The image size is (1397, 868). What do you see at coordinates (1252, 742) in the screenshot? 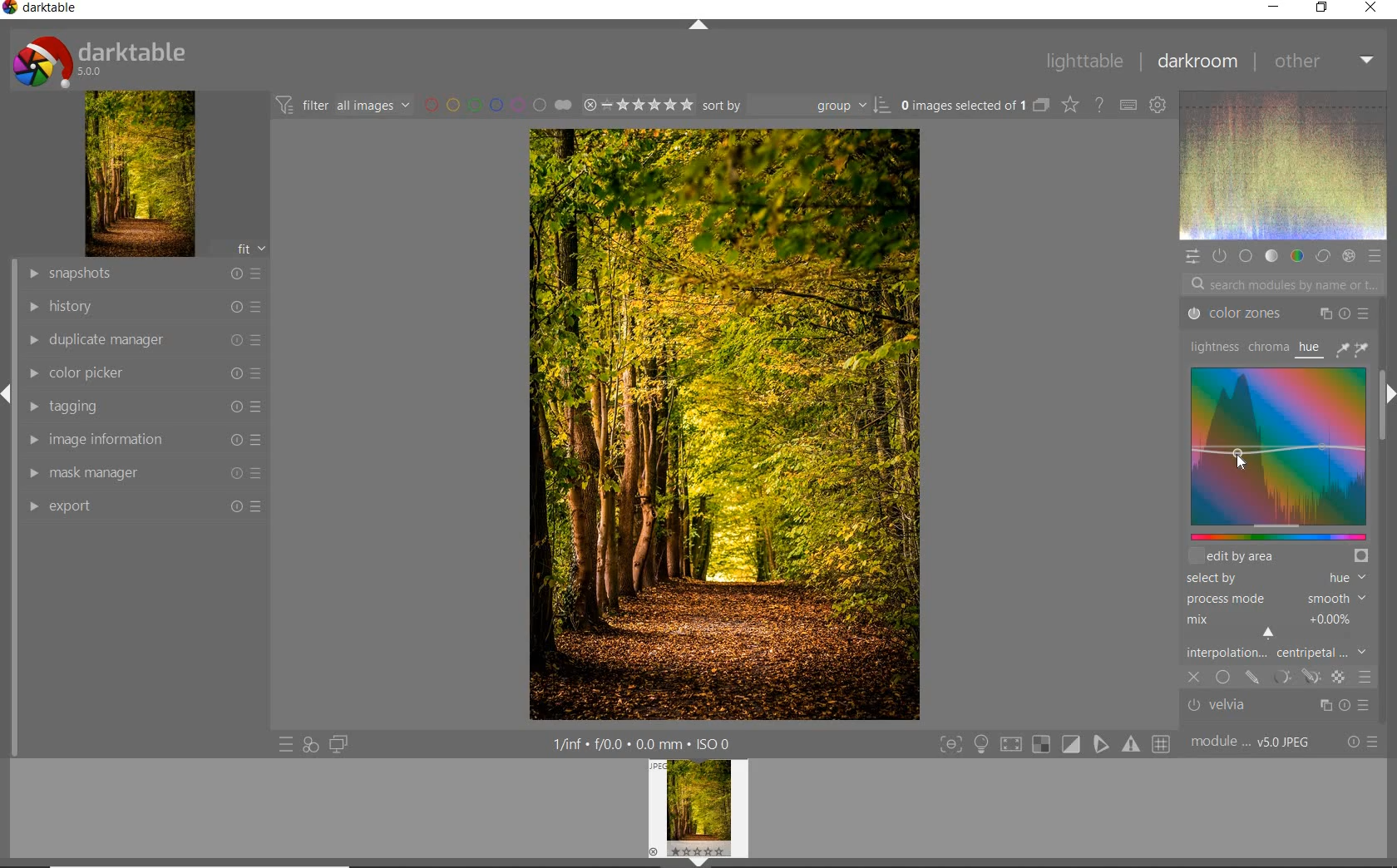
I see `MODULE ORDER` at bounding box center [1252, 742].